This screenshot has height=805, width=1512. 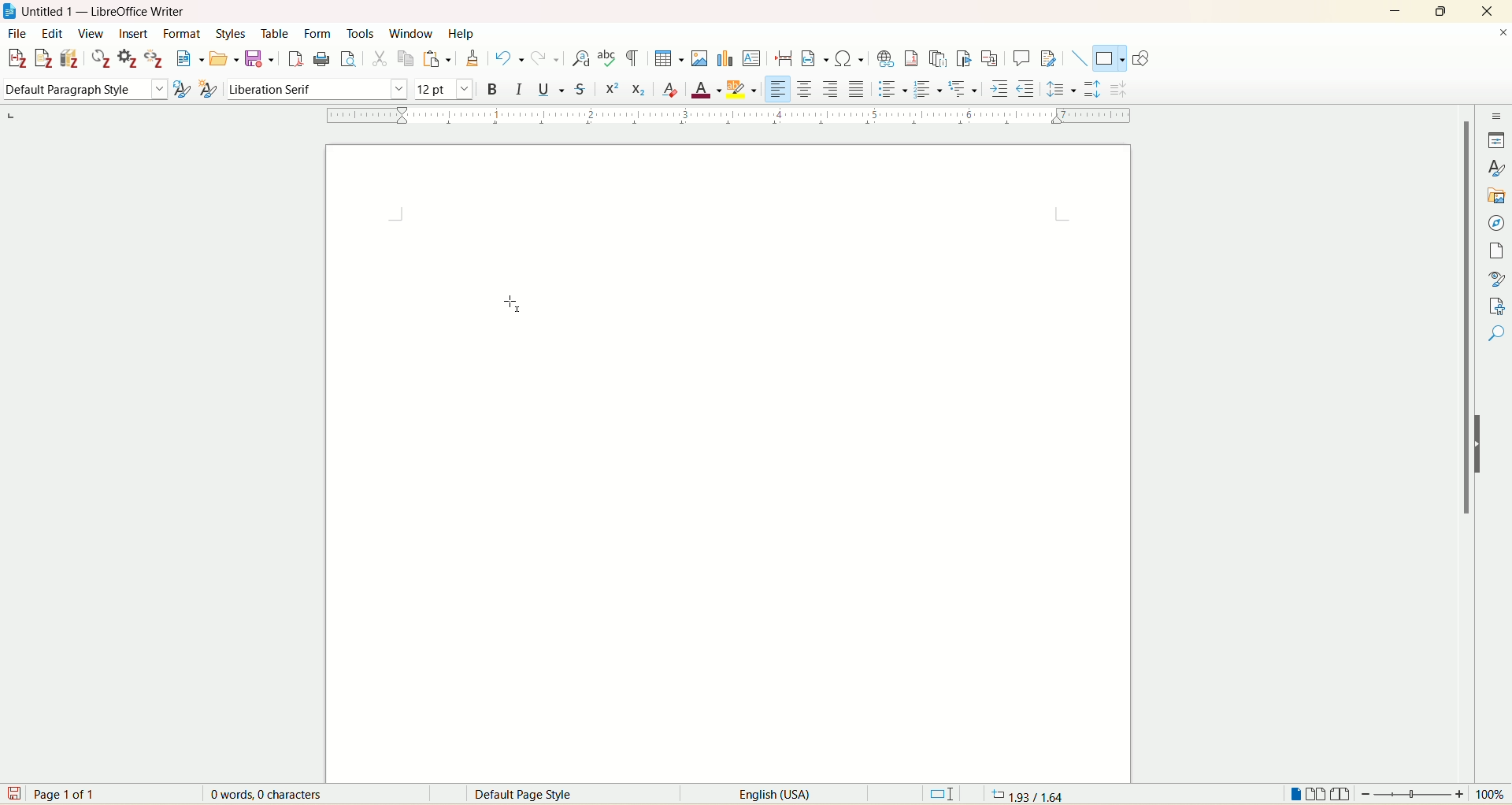 What do you see at coordinates (134, 34) in the screenshot?
I see `insert` at bounding box center [134, 34].